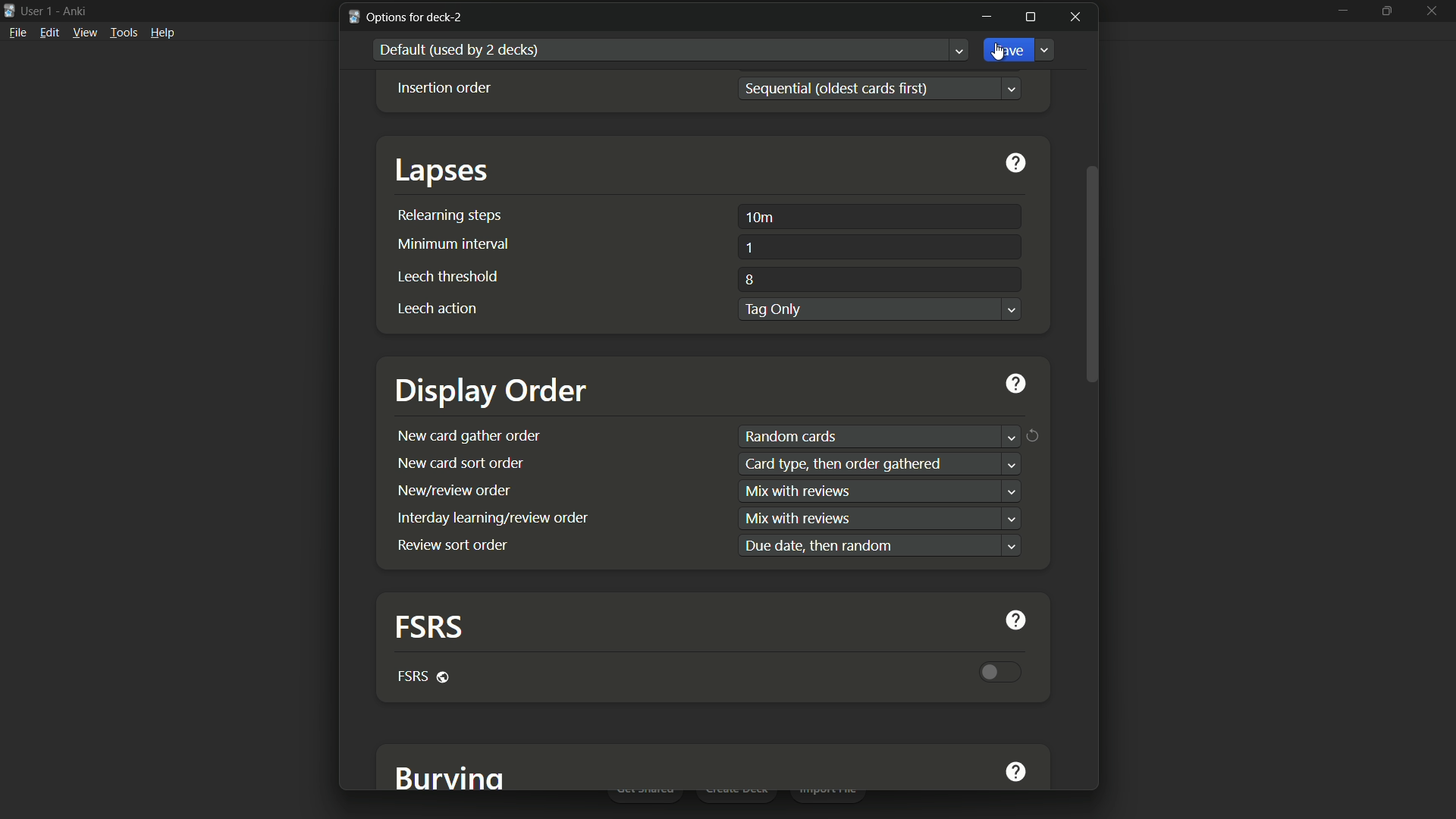  I want to click on scroll bar, so click(1090, 275).